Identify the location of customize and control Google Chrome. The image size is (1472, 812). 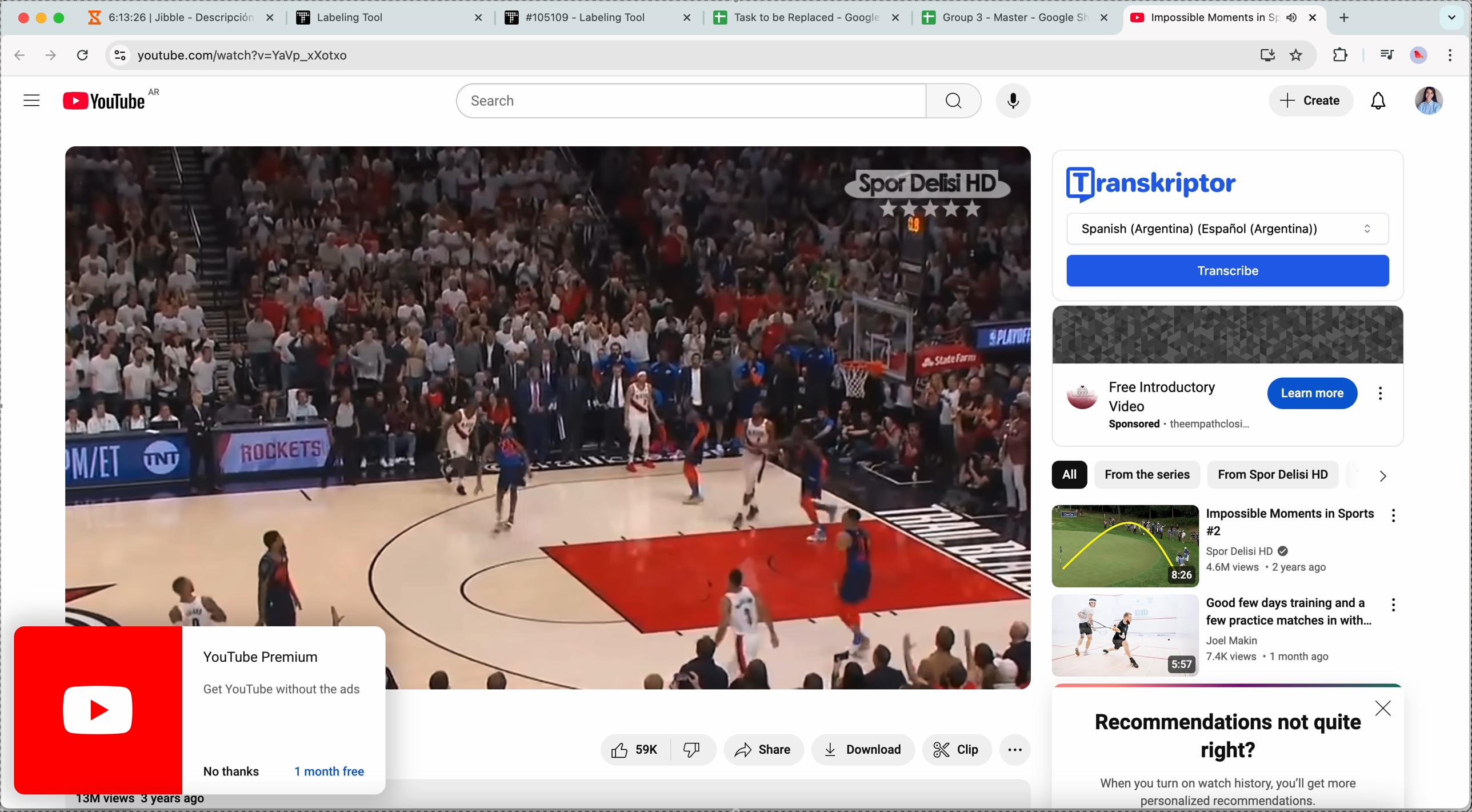
(1451, 54).